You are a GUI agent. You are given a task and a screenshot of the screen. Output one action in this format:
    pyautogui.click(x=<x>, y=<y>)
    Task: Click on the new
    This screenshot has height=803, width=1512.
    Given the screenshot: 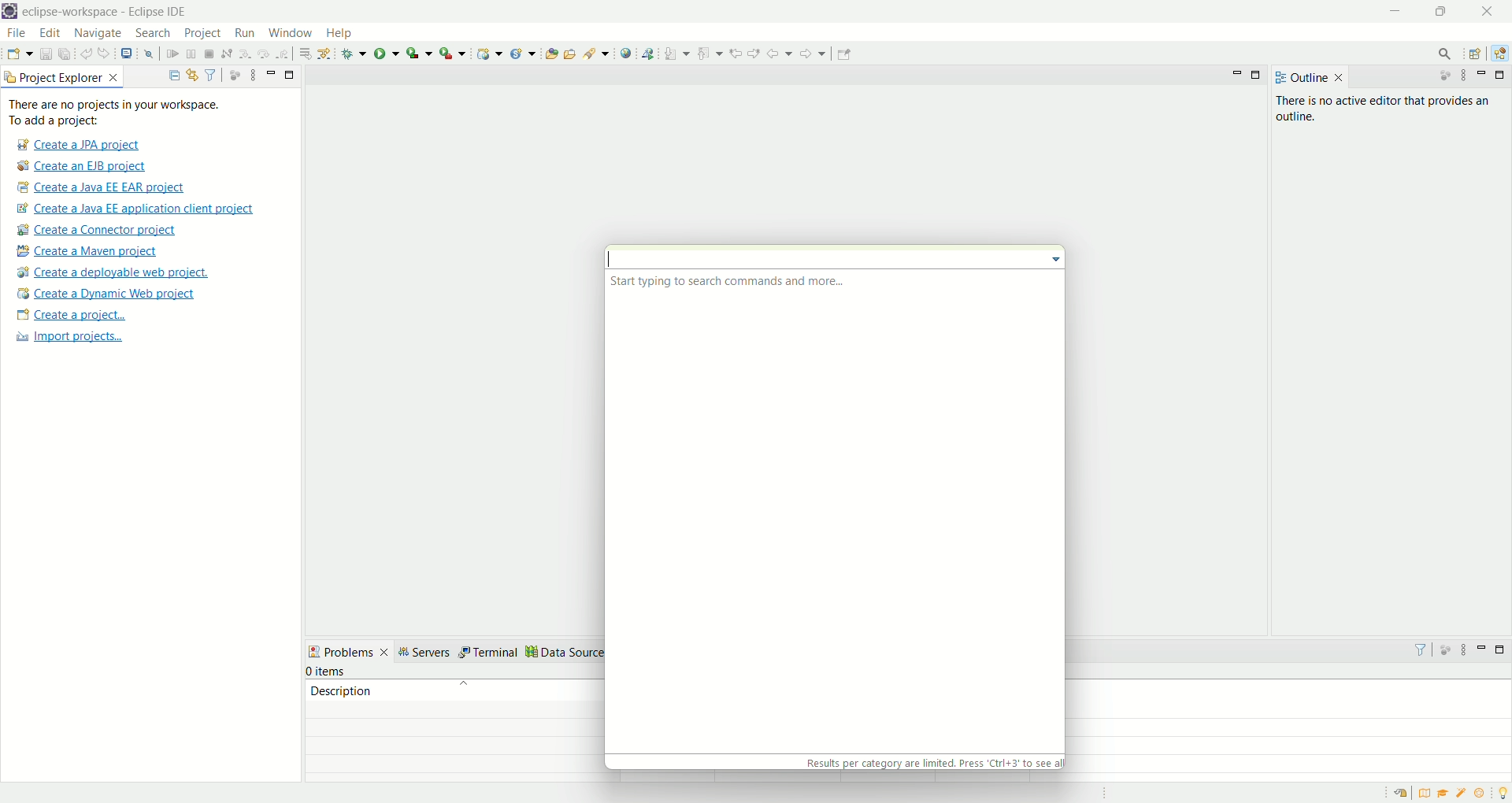 What is the action you would take?
    pyautogui.click(x=18, y=54)
    